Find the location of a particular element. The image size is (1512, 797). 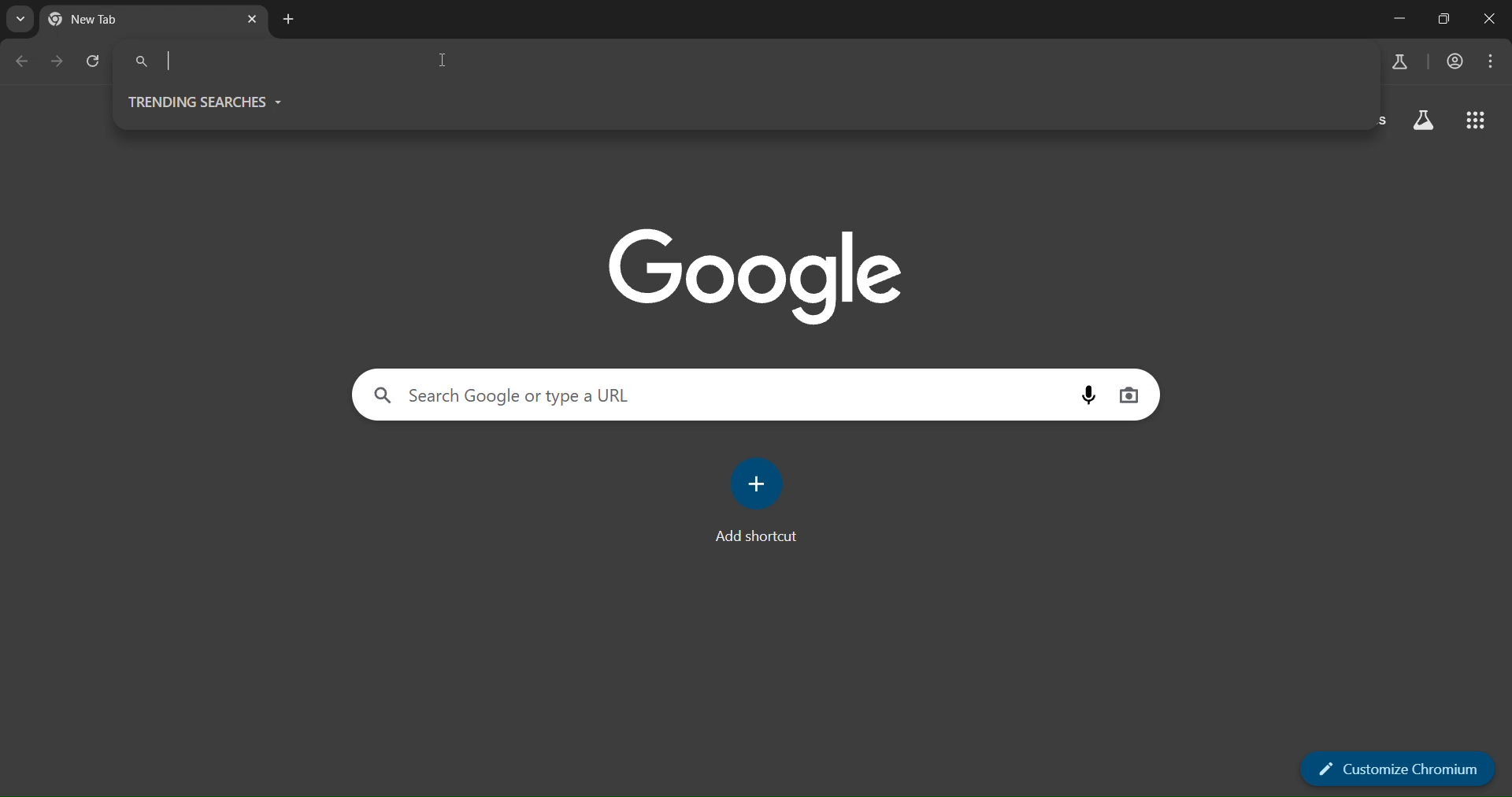

search panel is located at coordinates (272, 61).